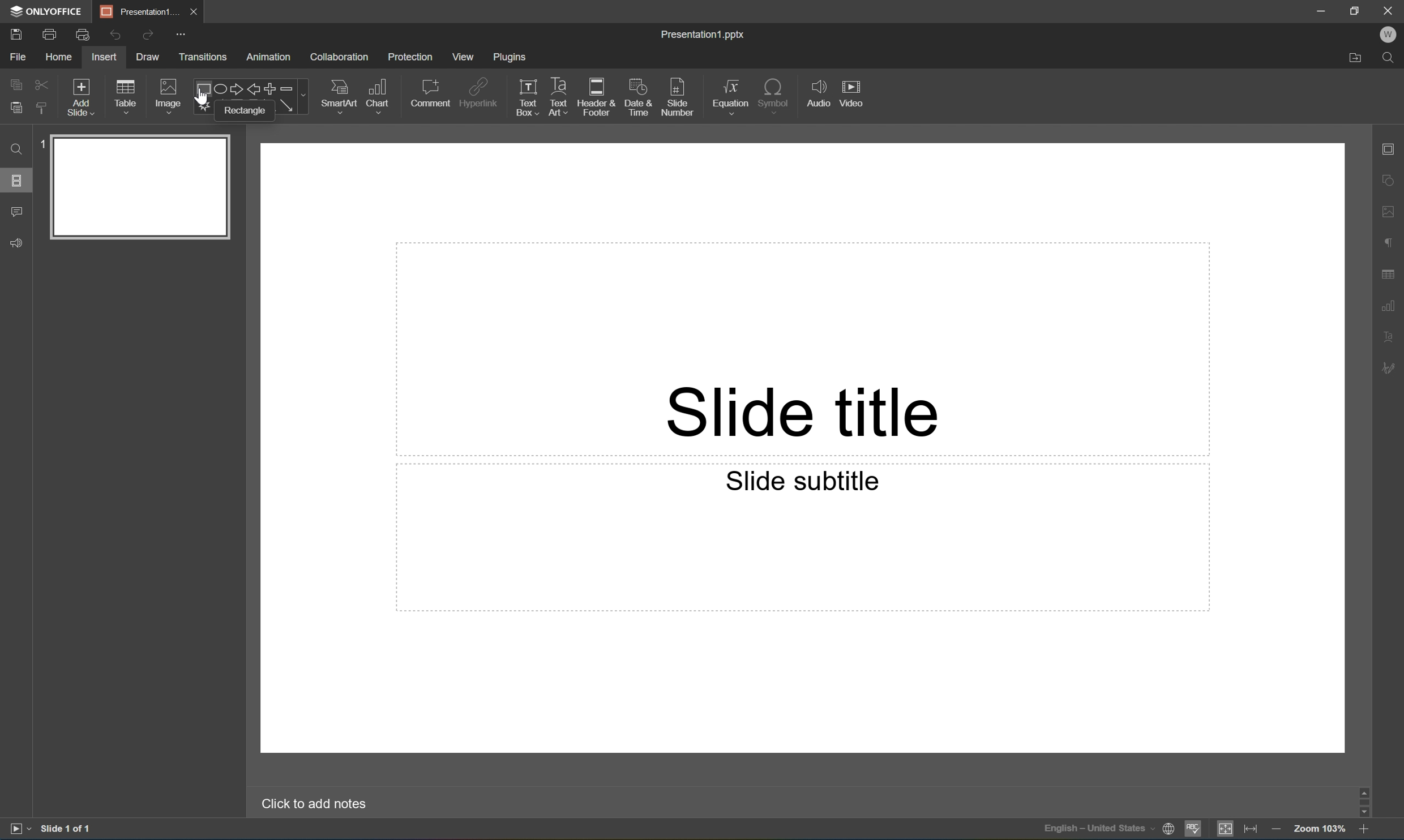  I want to click on SmartArt, so click(338, 94).